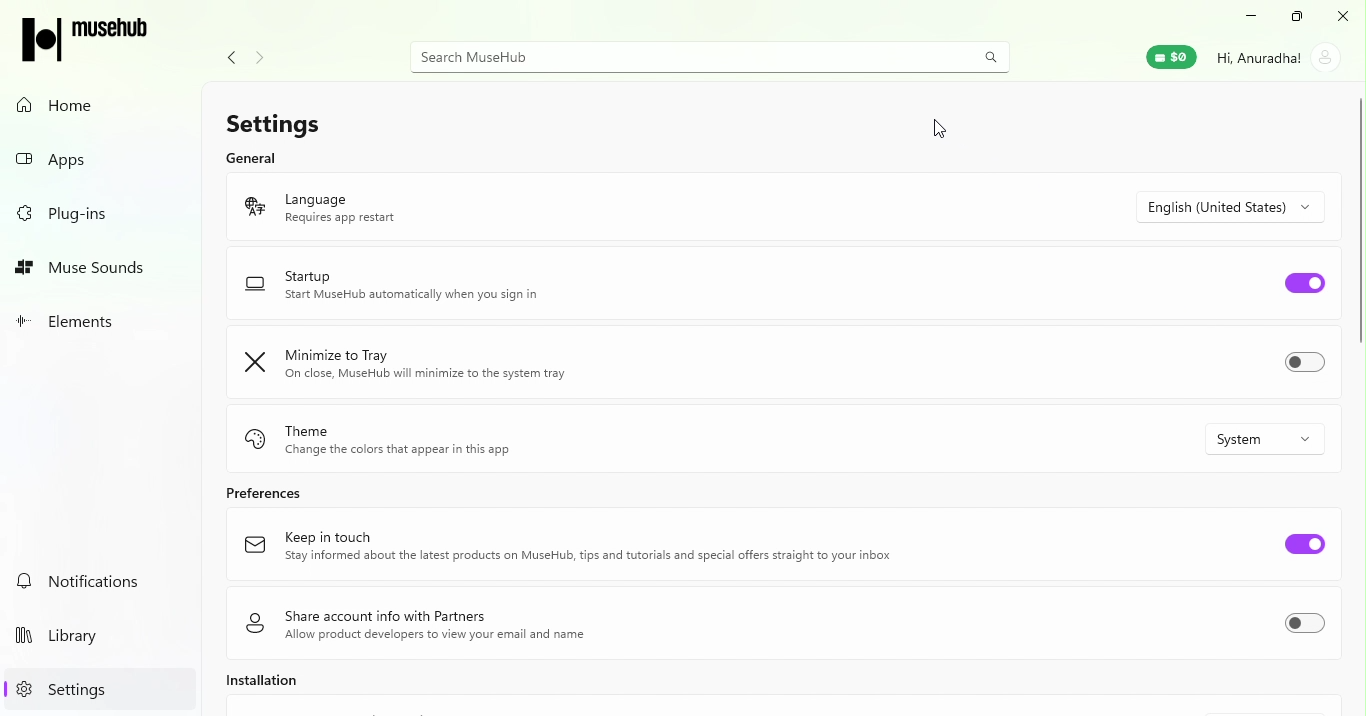 This screenshot has width=1366, height=716. What do you see at coordinates (1311, 623) in the screenshot?
I see `Toggle` at bounding box center [1311, 623].